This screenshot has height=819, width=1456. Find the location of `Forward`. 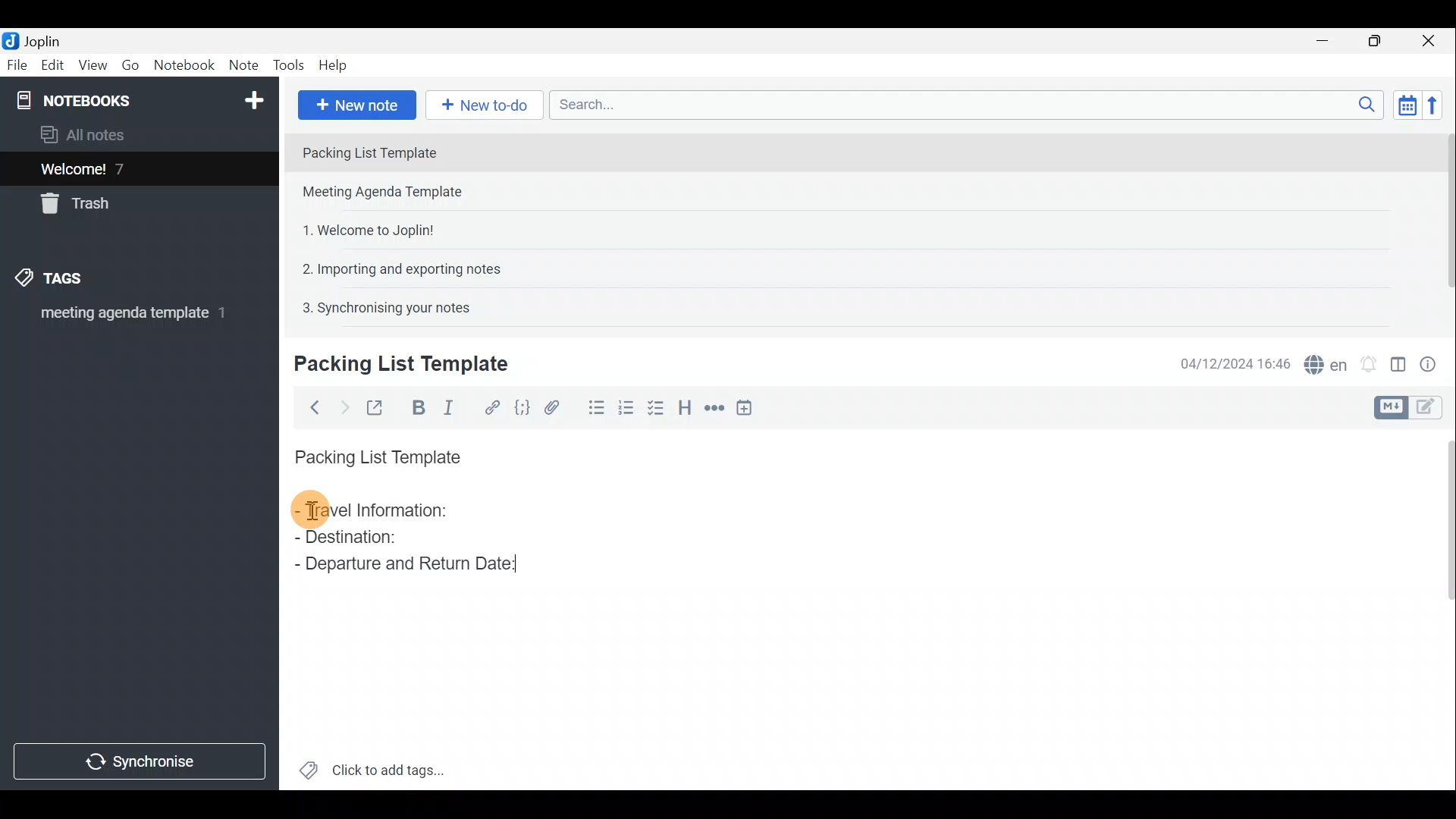

Forward is located at coordinates (341, 406).